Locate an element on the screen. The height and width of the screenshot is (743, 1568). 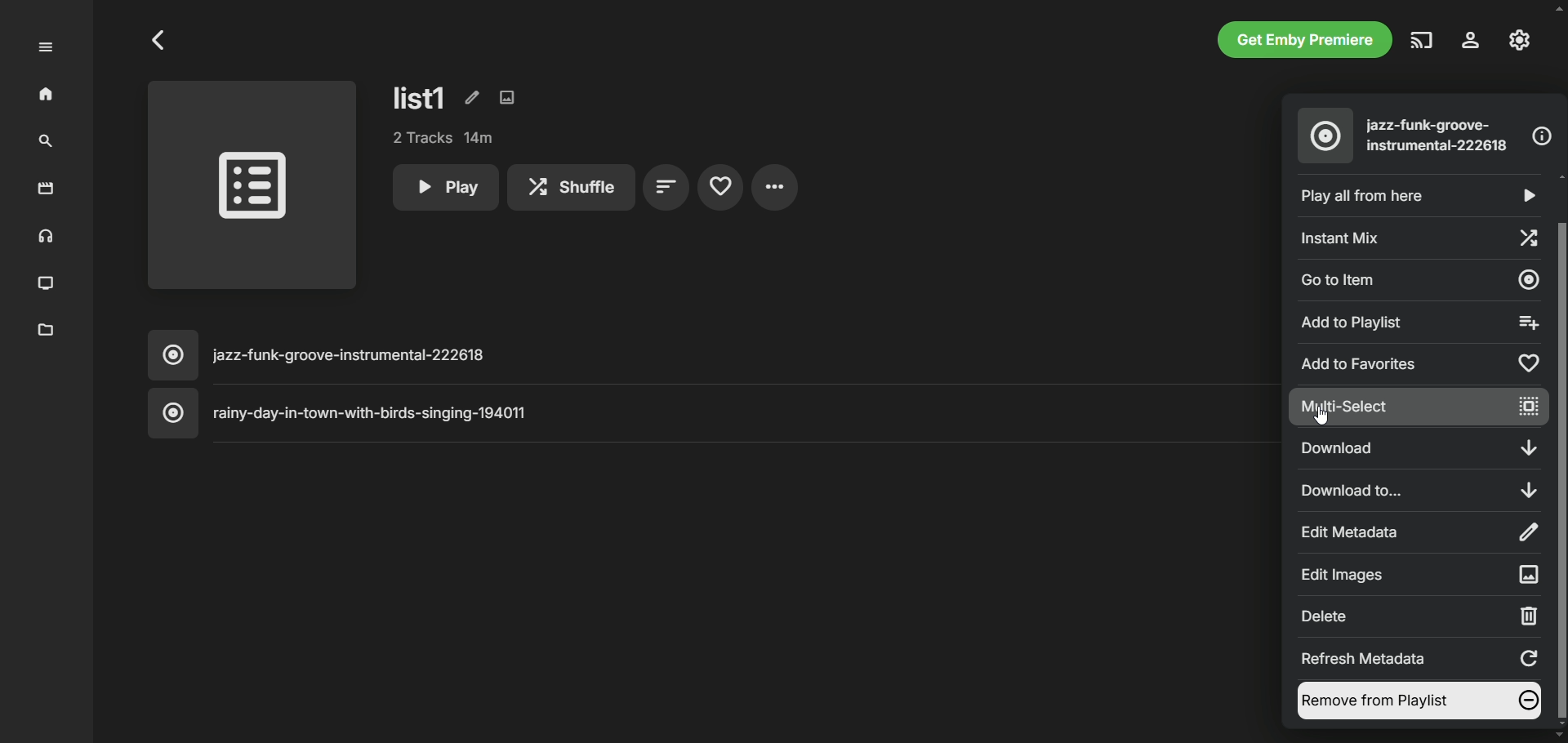
refresh metadata is located at coordinates (1421, 657).